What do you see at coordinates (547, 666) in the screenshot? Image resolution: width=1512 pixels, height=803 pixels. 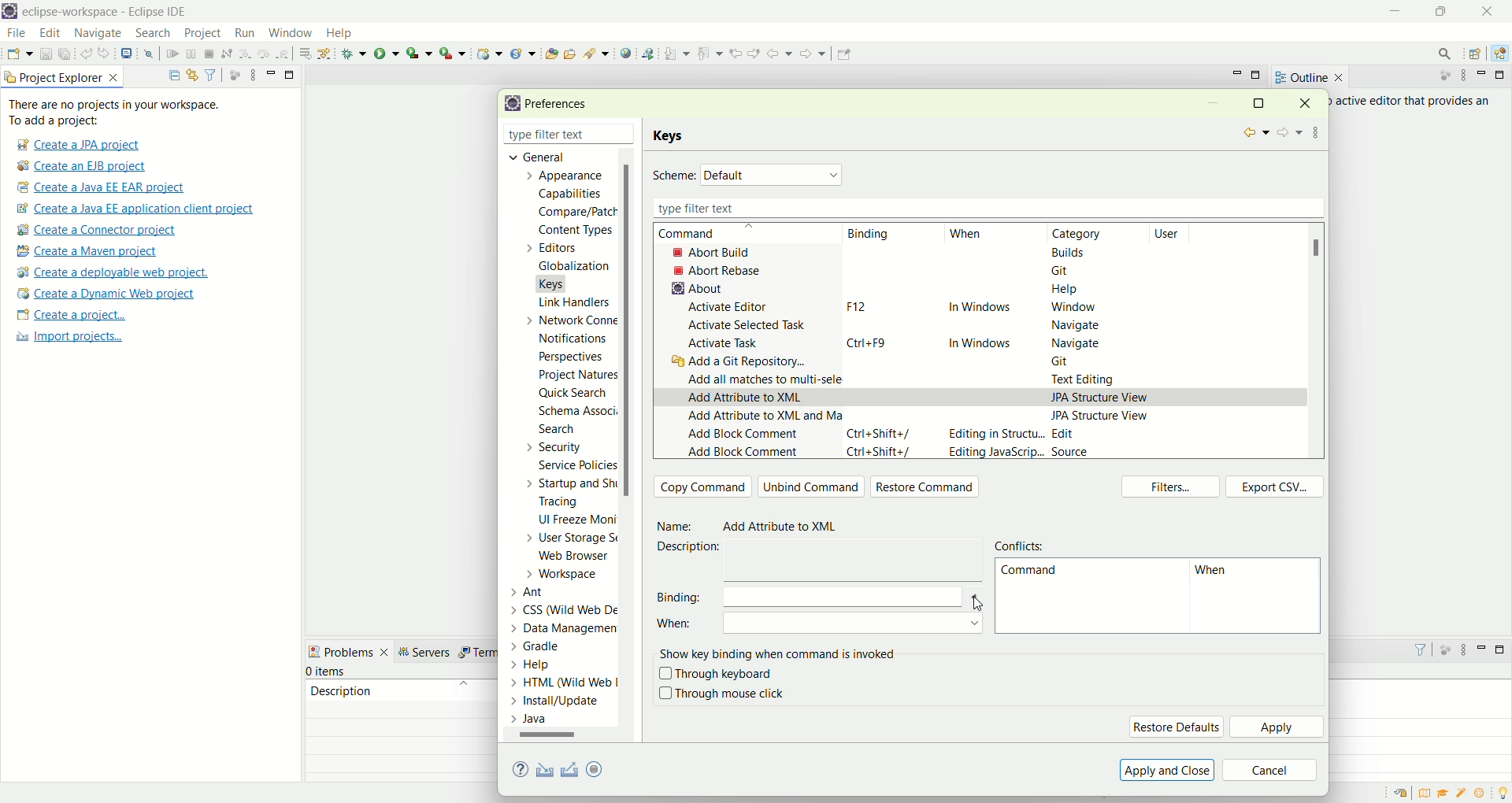 I see `Help` at bounding box center [547, 666].